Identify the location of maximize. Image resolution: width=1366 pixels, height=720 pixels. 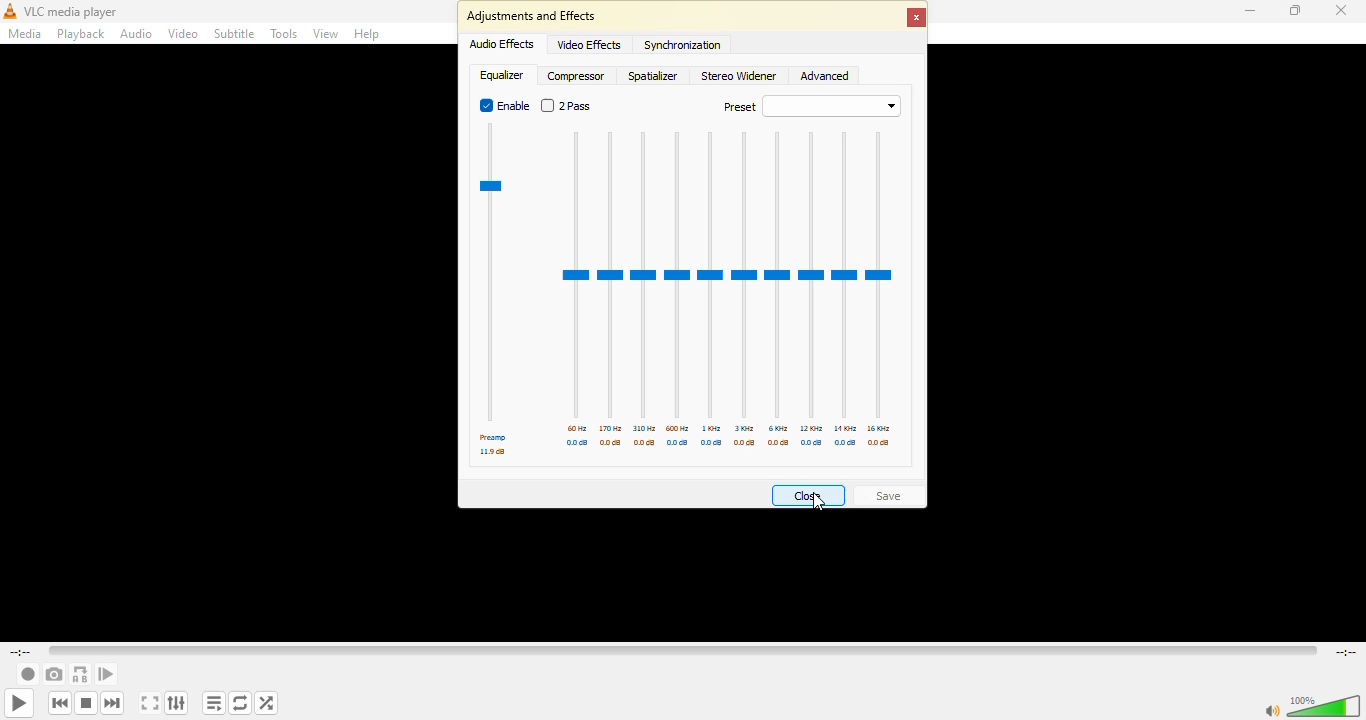
(1293, 9).